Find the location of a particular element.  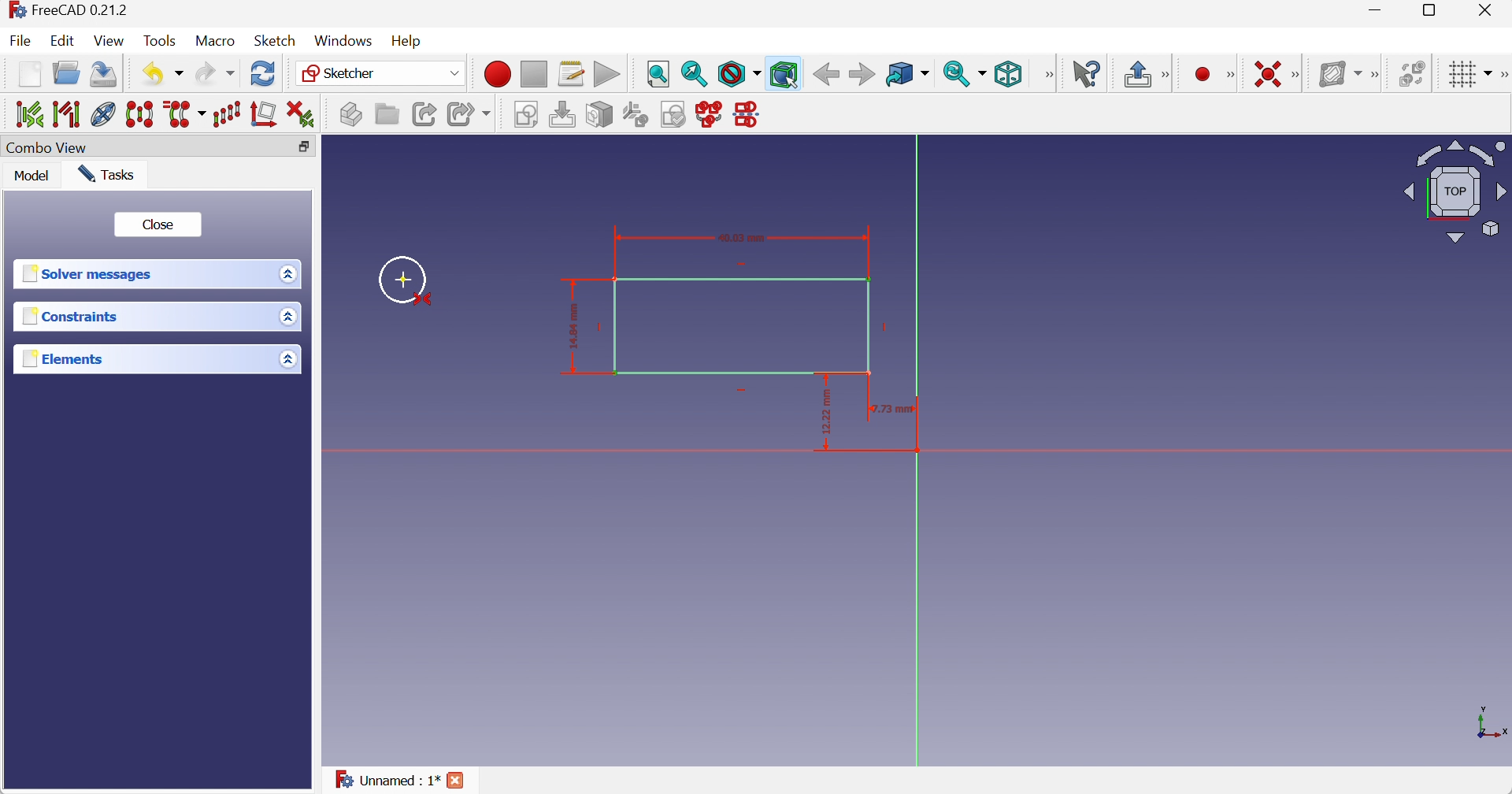

Merge sketches is located at coordinates (711, 114).